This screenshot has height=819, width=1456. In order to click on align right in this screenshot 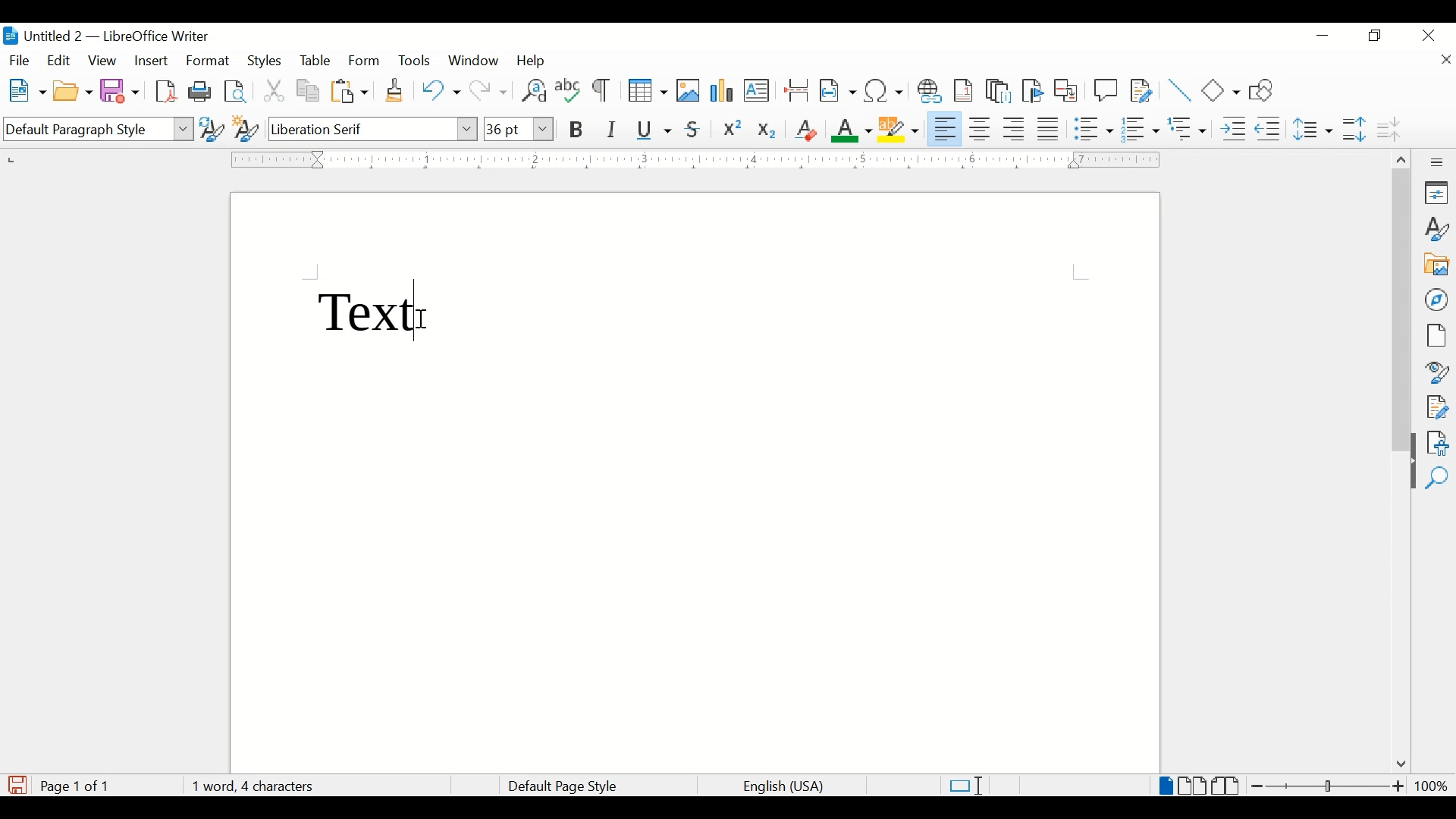, I will do `click(1015, 129)`.